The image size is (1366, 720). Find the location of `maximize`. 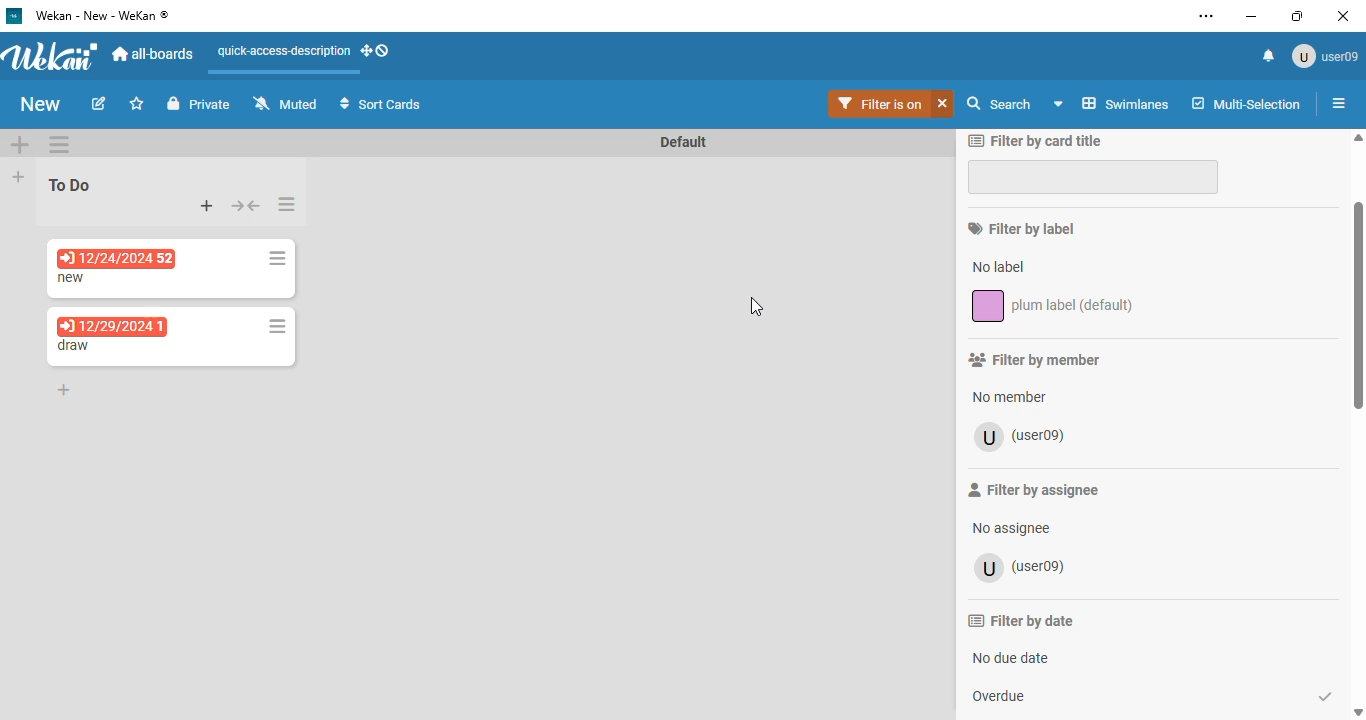

maximize is located at coordinates (1297, 16).